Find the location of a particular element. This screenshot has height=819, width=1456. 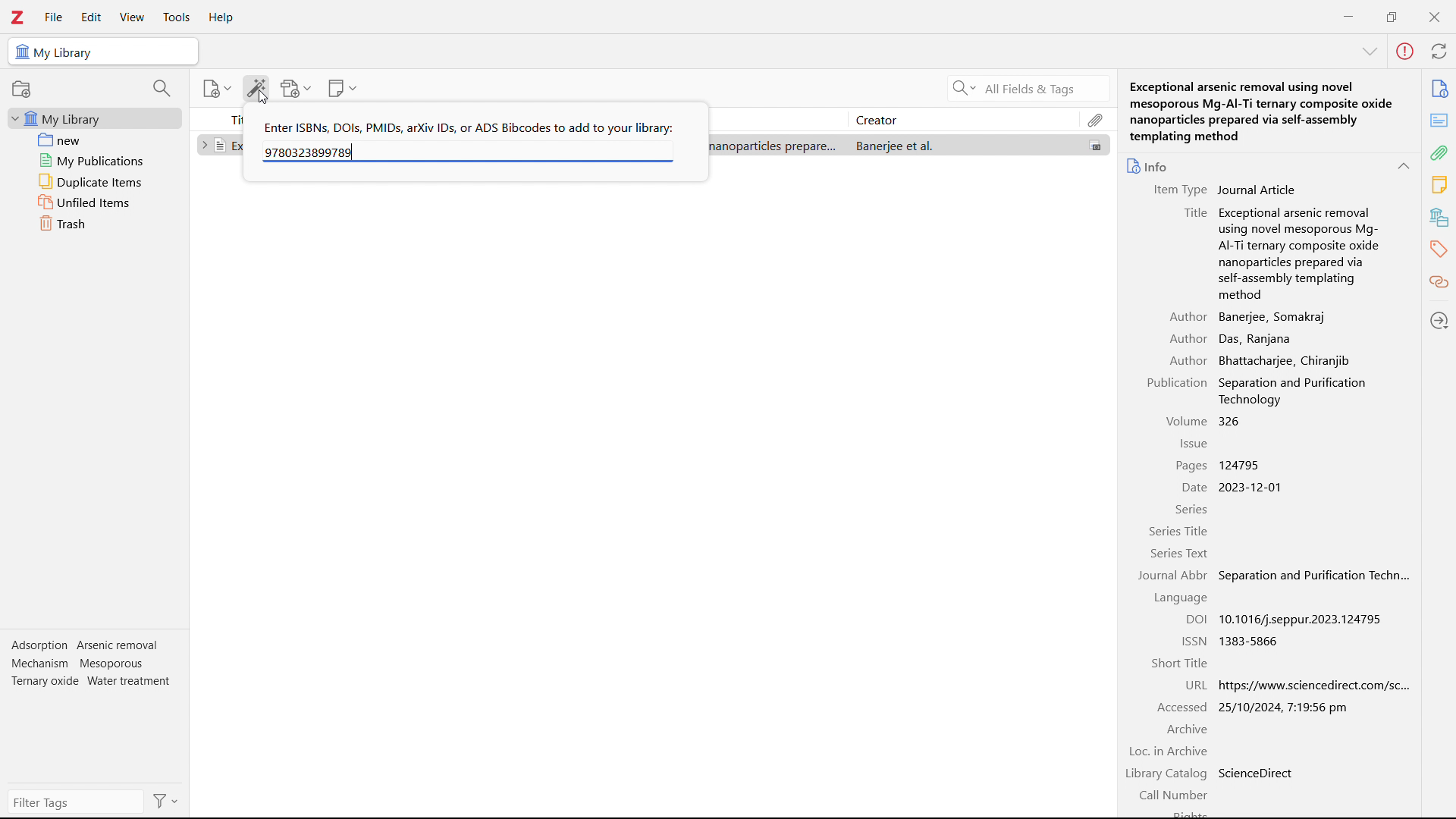

1245795 is located at coordinates (1242, 465).